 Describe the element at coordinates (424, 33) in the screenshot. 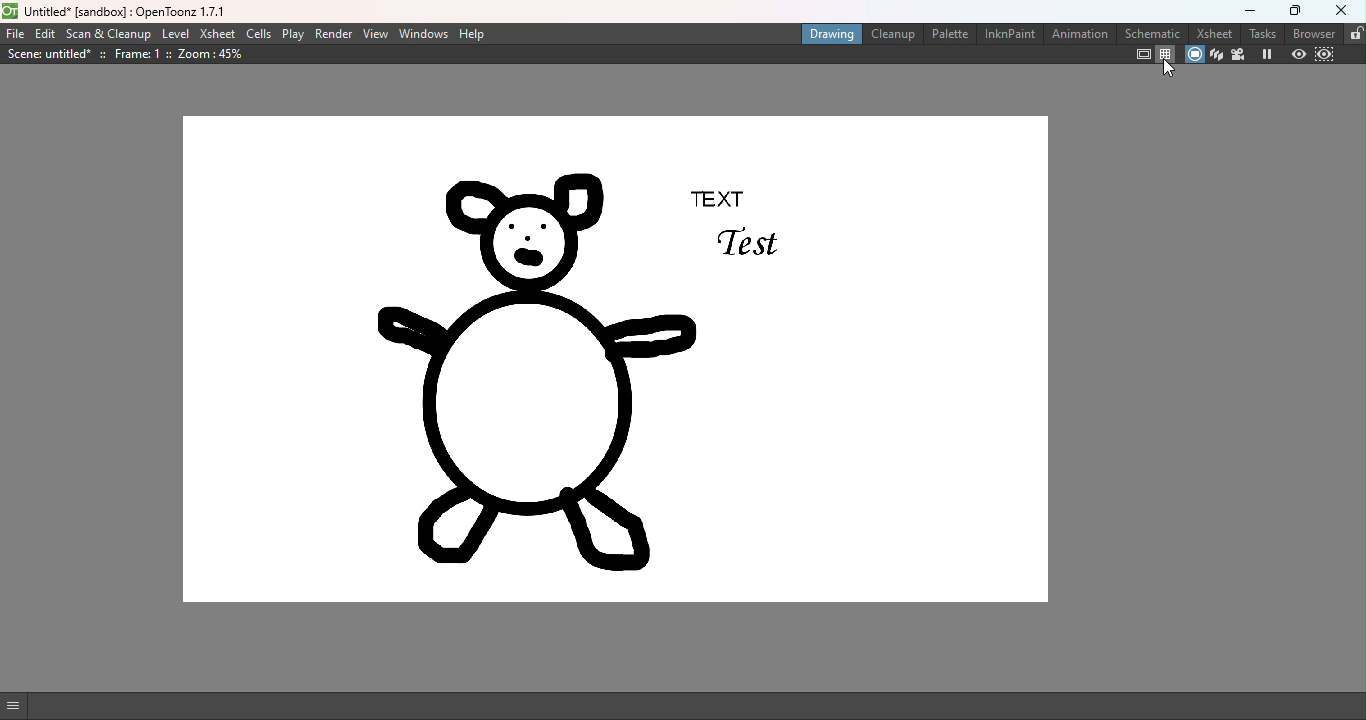

I see `Windows` at that location.